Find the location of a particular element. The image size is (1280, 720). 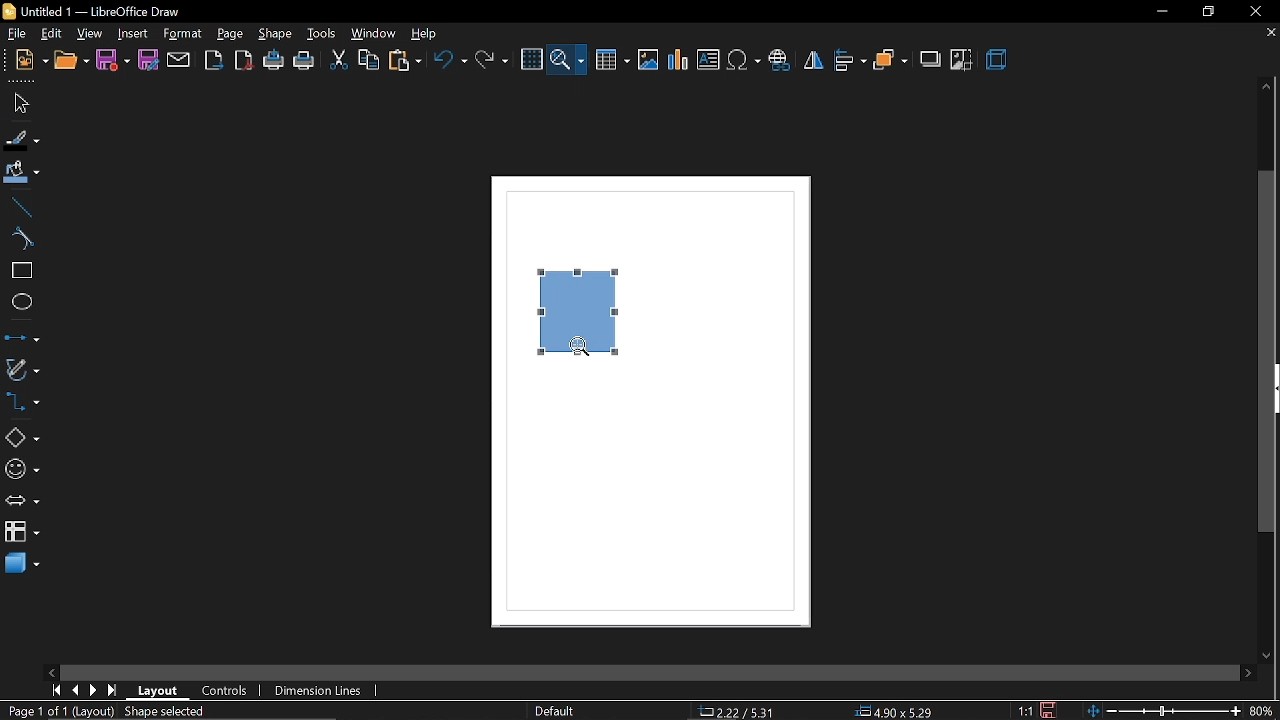

previous page is located at coordinates (76, 689).